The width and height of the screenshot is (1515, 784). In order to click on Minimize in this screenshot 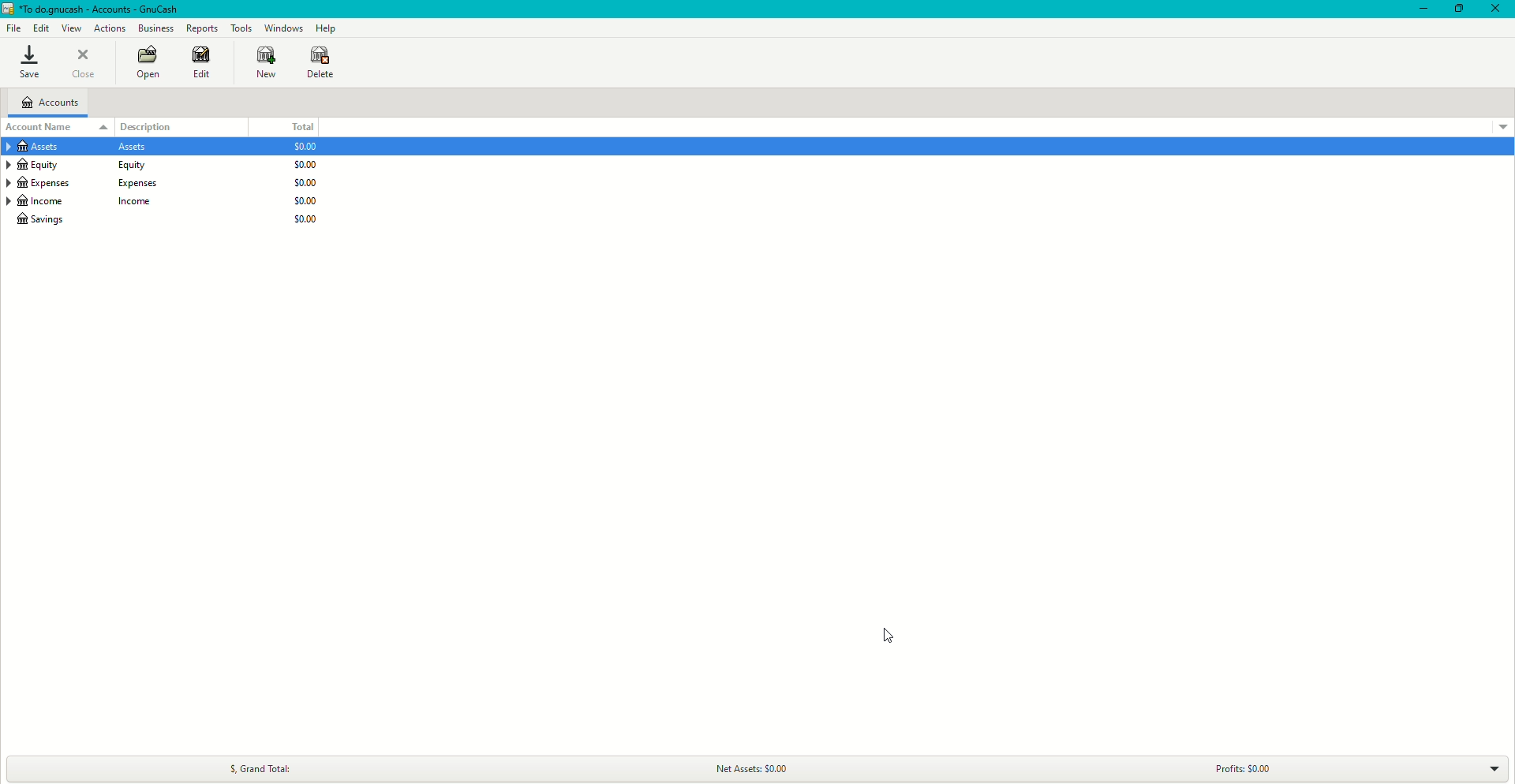, I will do `click(1419, 9)`.